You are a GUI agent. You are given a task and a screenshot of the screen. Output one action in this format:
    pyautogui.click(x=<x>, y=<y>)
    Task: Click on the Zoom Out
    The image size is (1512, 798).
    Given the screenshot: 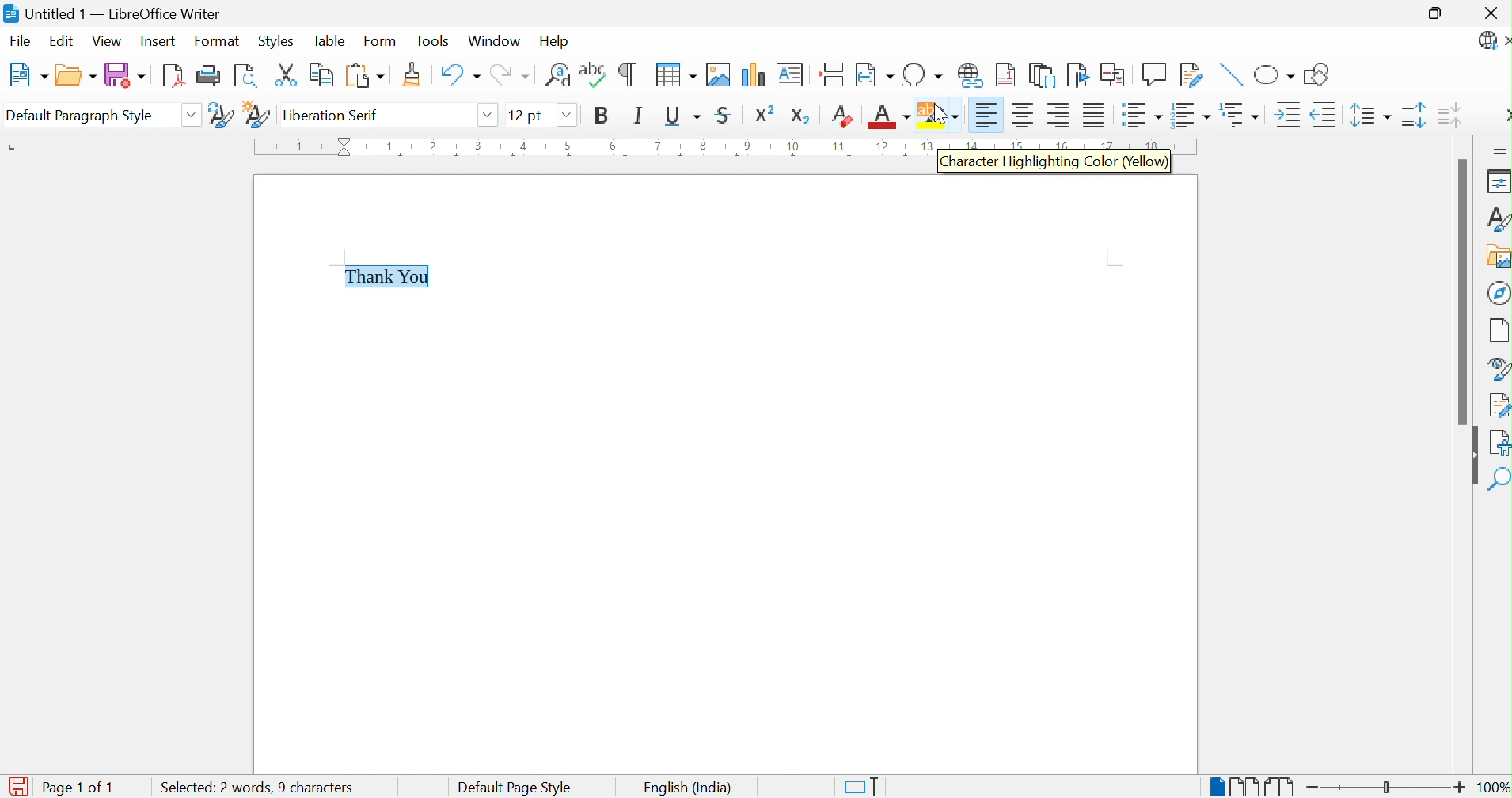 What is the action you would take?
    pyautogui.click(x=1313, y=788)
    